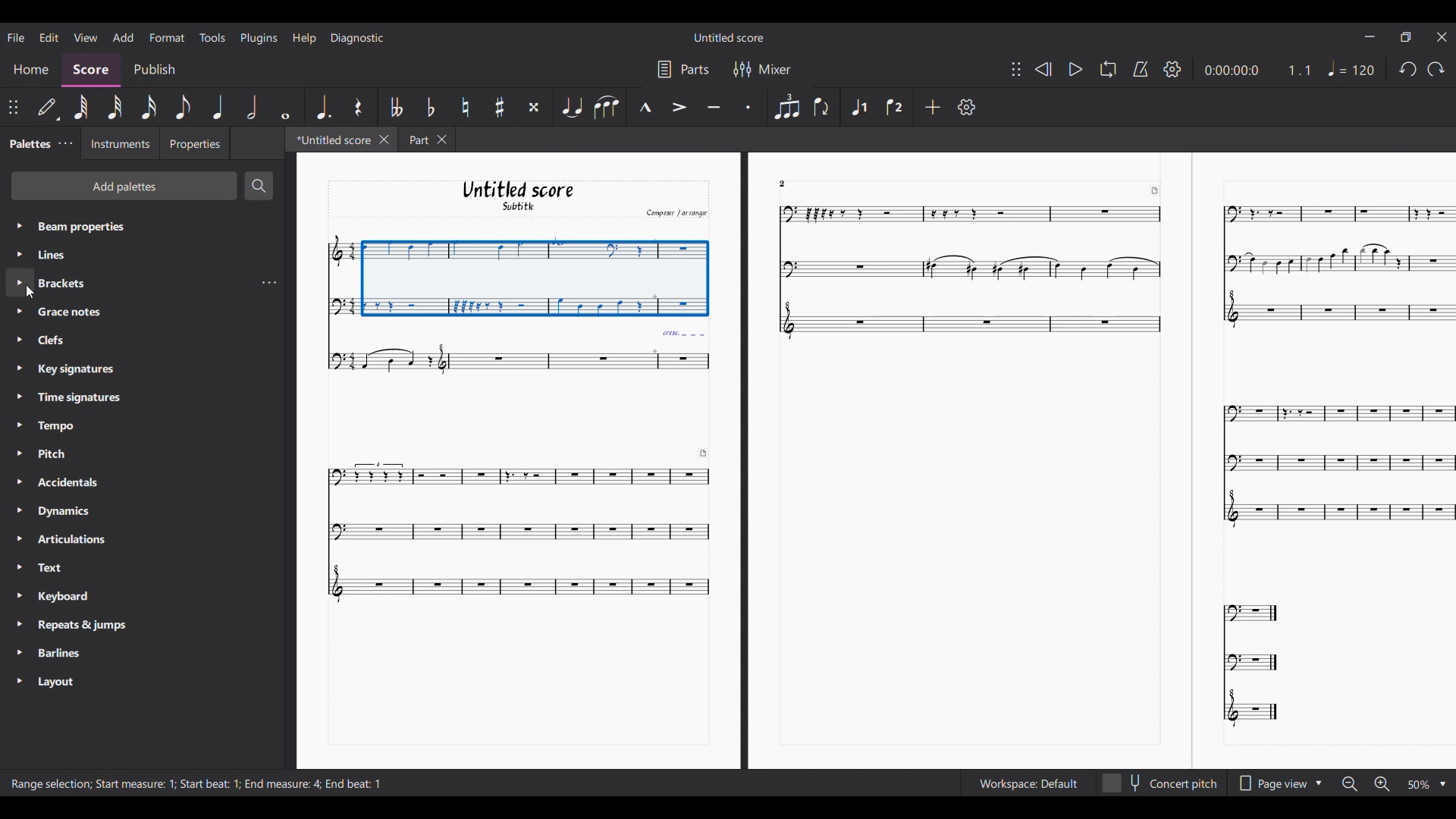 Image resolution: width=1456 pixels, height=819 pixels. What do you see at coordinates (679, 107) in the screenshot?
I see `Accent` at bounding box center [679, 107].